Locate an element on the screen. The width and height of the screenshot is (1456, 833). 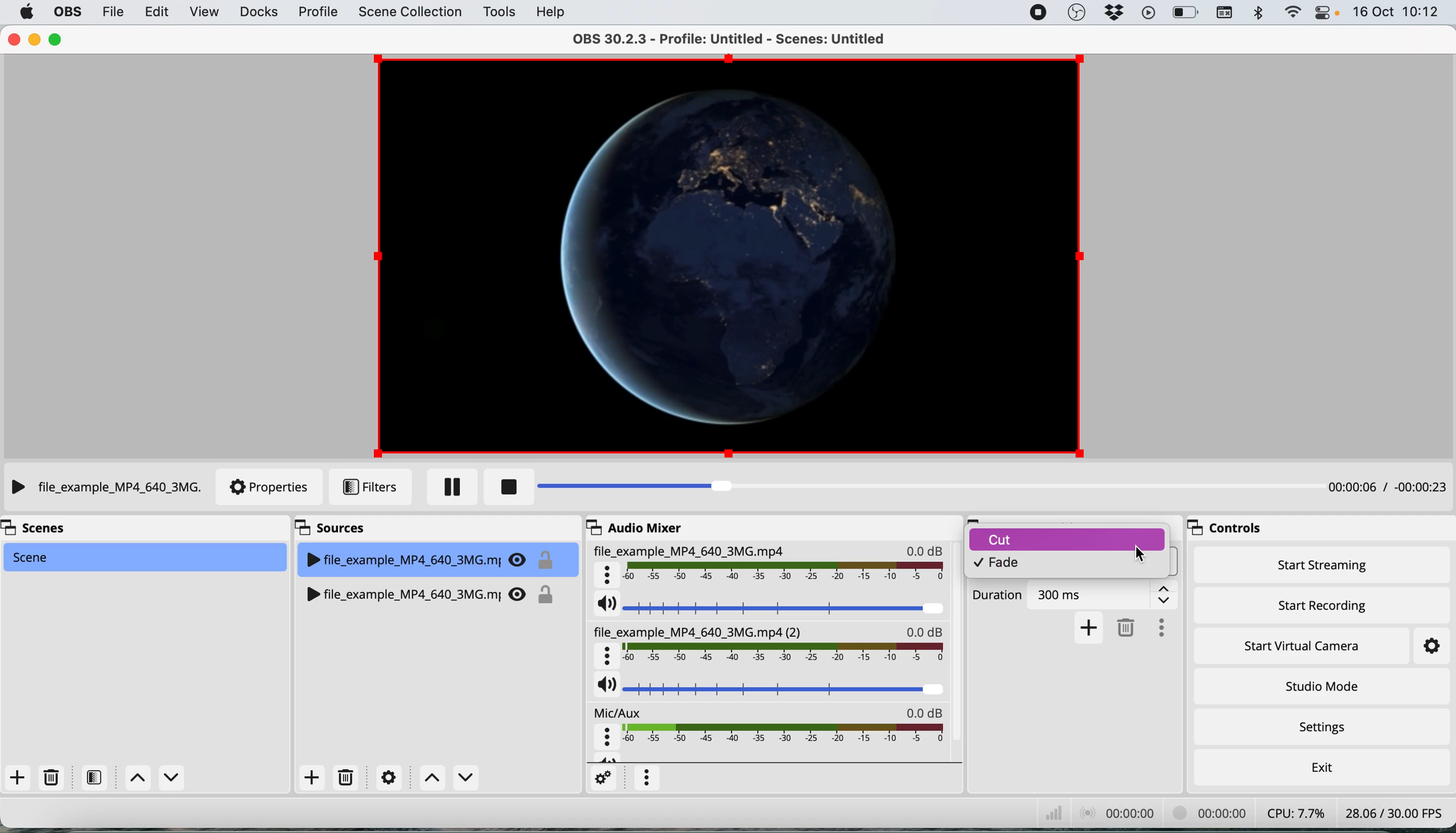
keyboard is located at coordinates (1227, 13).